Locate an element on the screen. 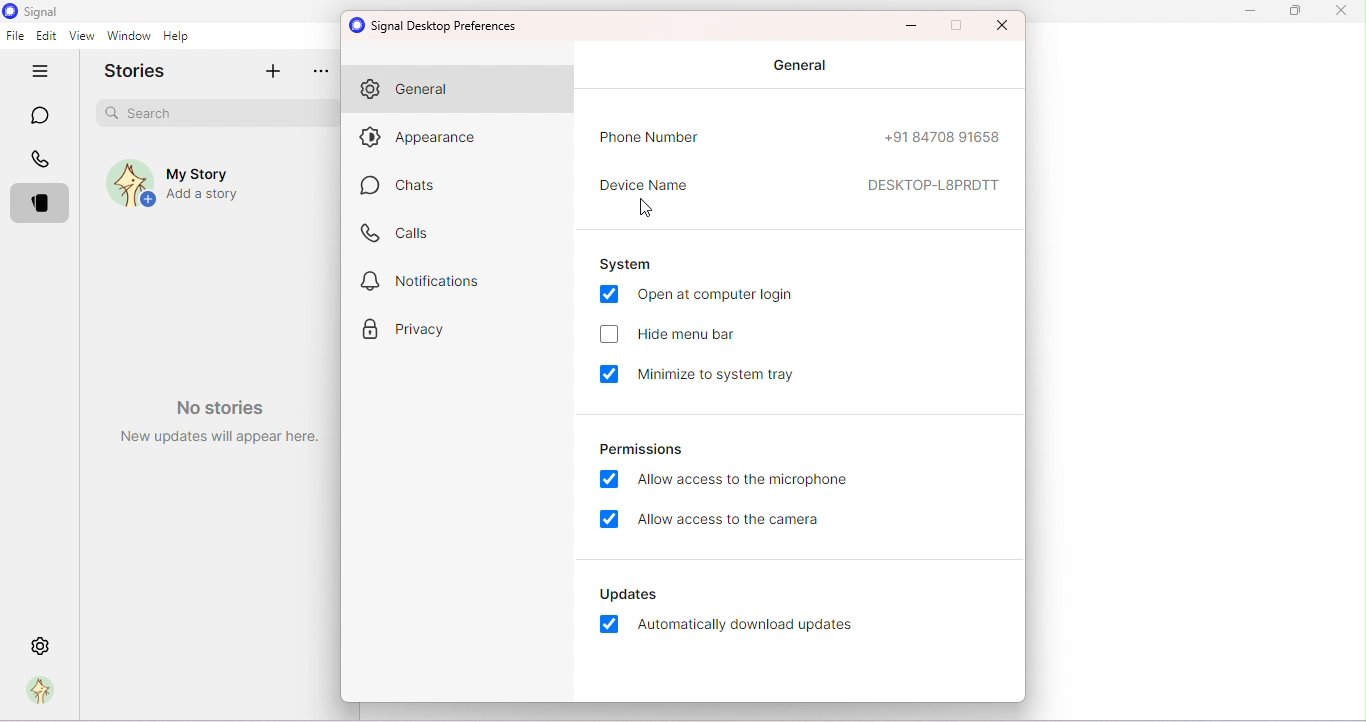 The width and height of the screenshot is (1366, 722). Minimize to system tray is located at coordinates (701, 373).